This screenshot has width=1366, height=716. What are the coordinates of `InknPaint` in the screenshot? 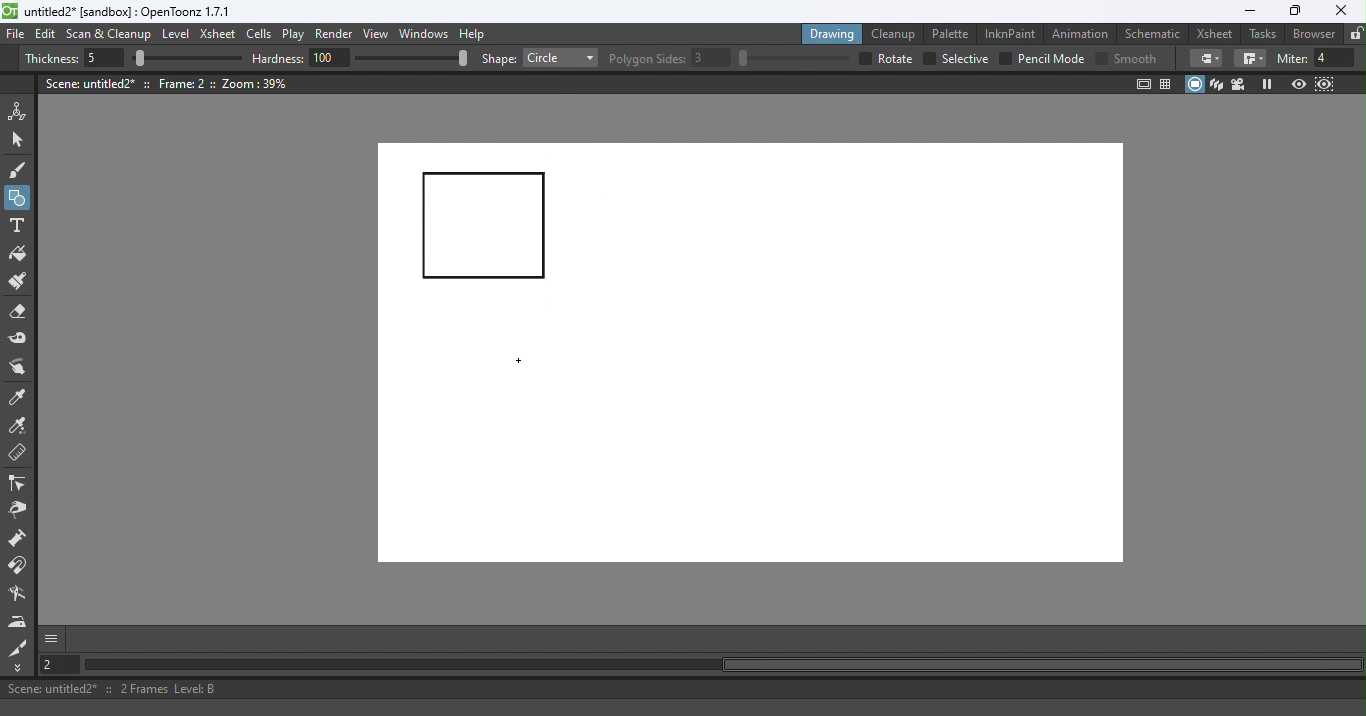 It's located at (1011, 32).